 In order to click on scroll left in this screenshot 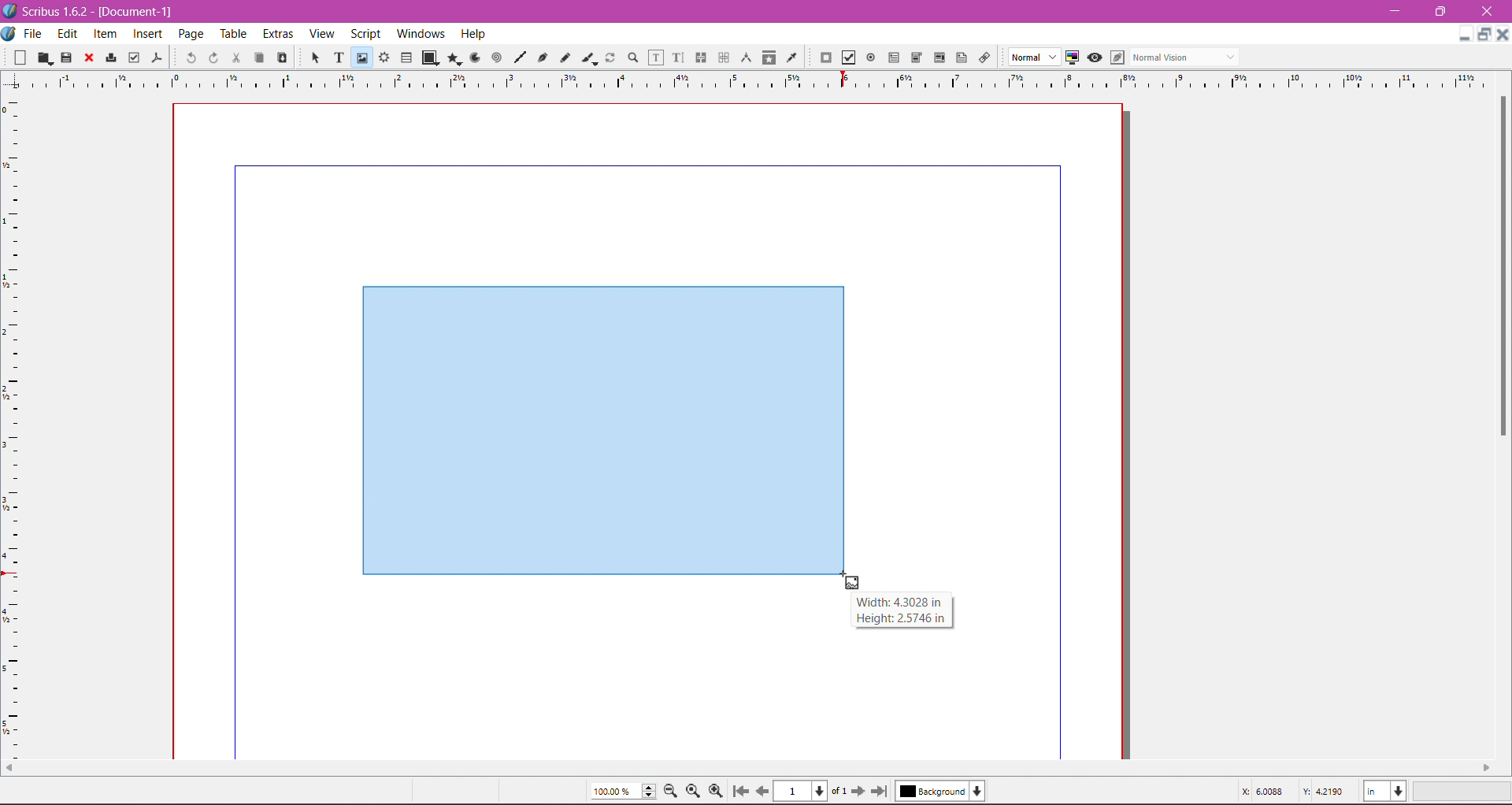, I will do `click(9, 765)`.